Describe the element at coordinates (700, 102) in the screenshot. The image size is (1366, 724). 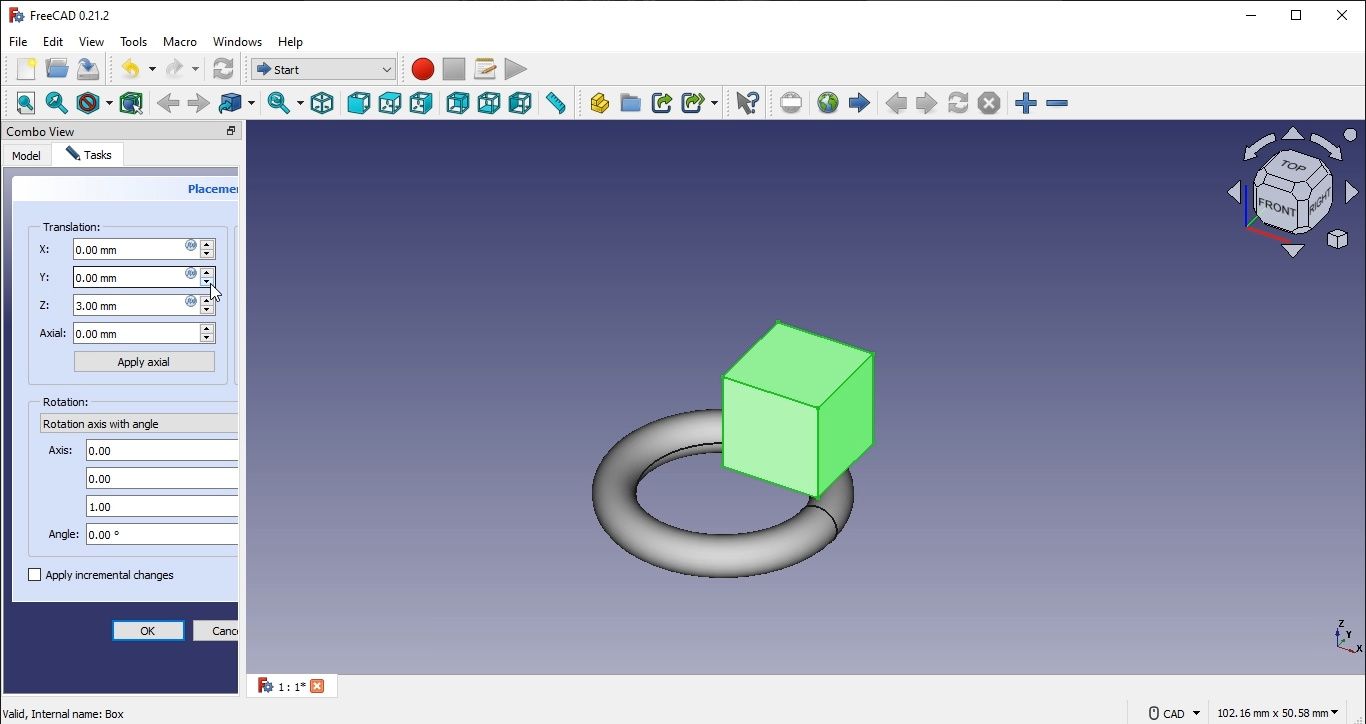
I see `make sublink` at that location.